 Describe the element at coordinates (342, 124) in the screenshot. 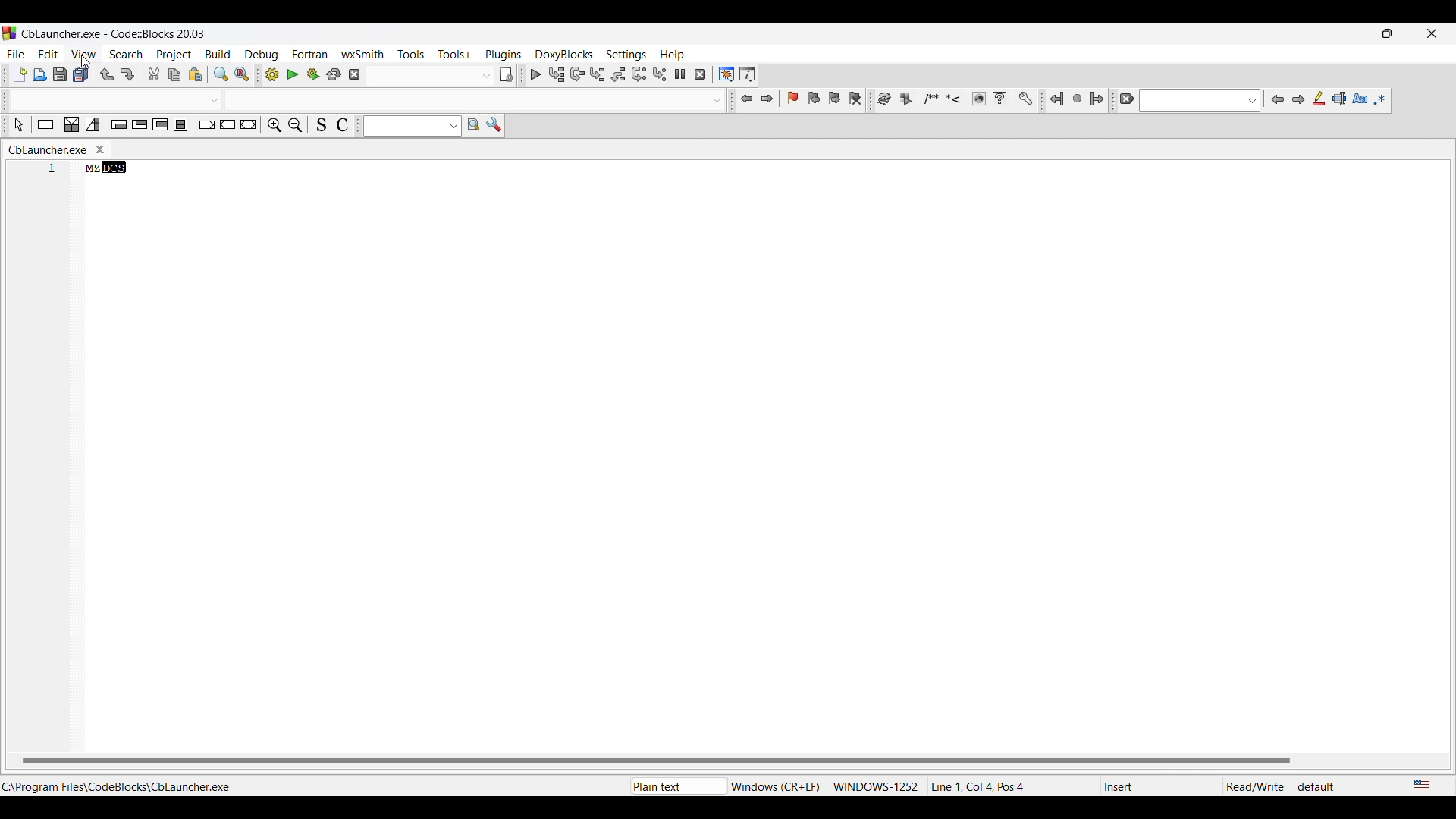

I see `Toggle comments` at that location.